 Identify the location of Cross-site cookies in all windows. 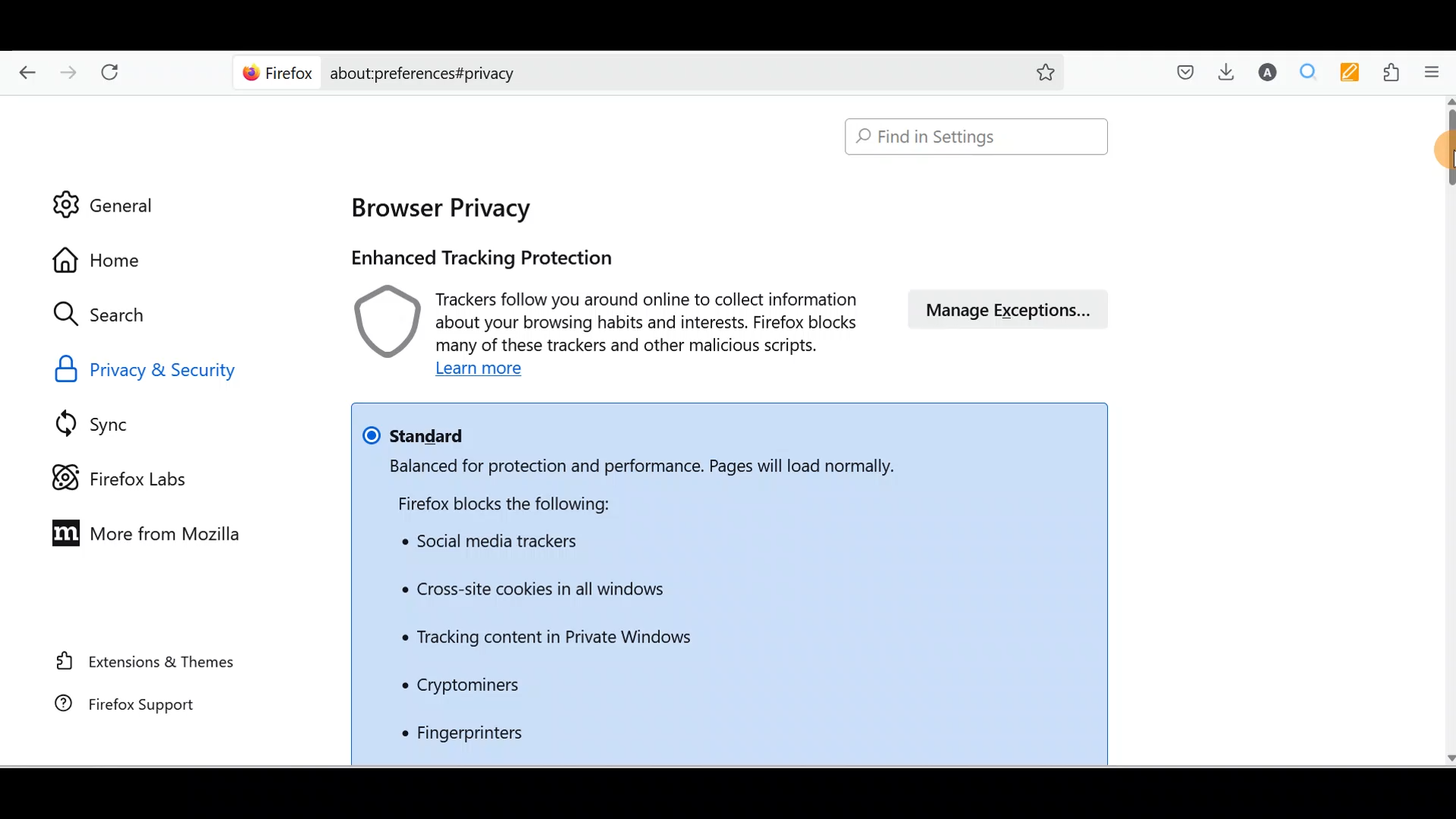
(542, 591).